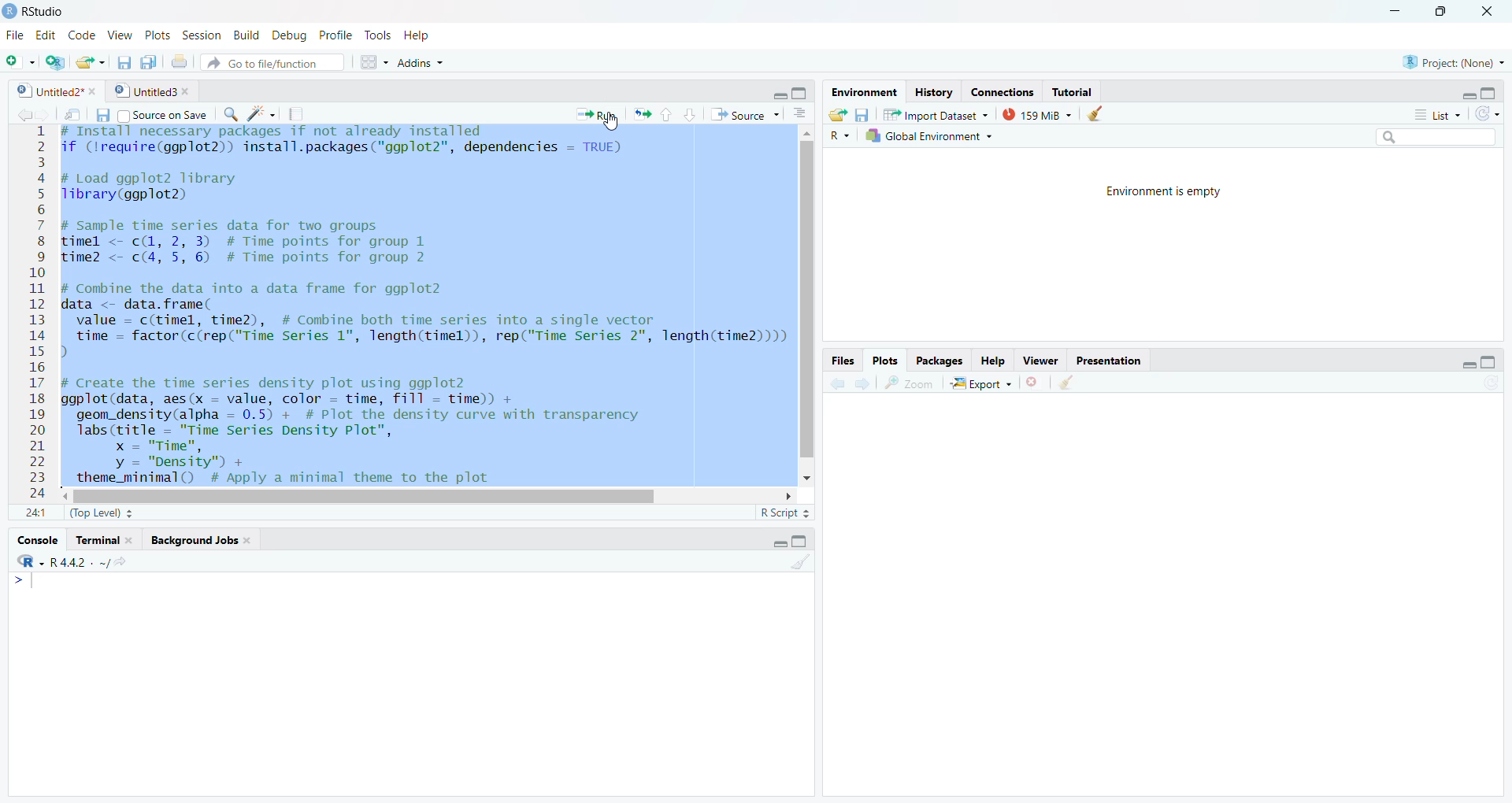 The image size is (1512, 803). Describe the element at coordinates (38, 515) in the screenshot. I see `1:1` at that location.